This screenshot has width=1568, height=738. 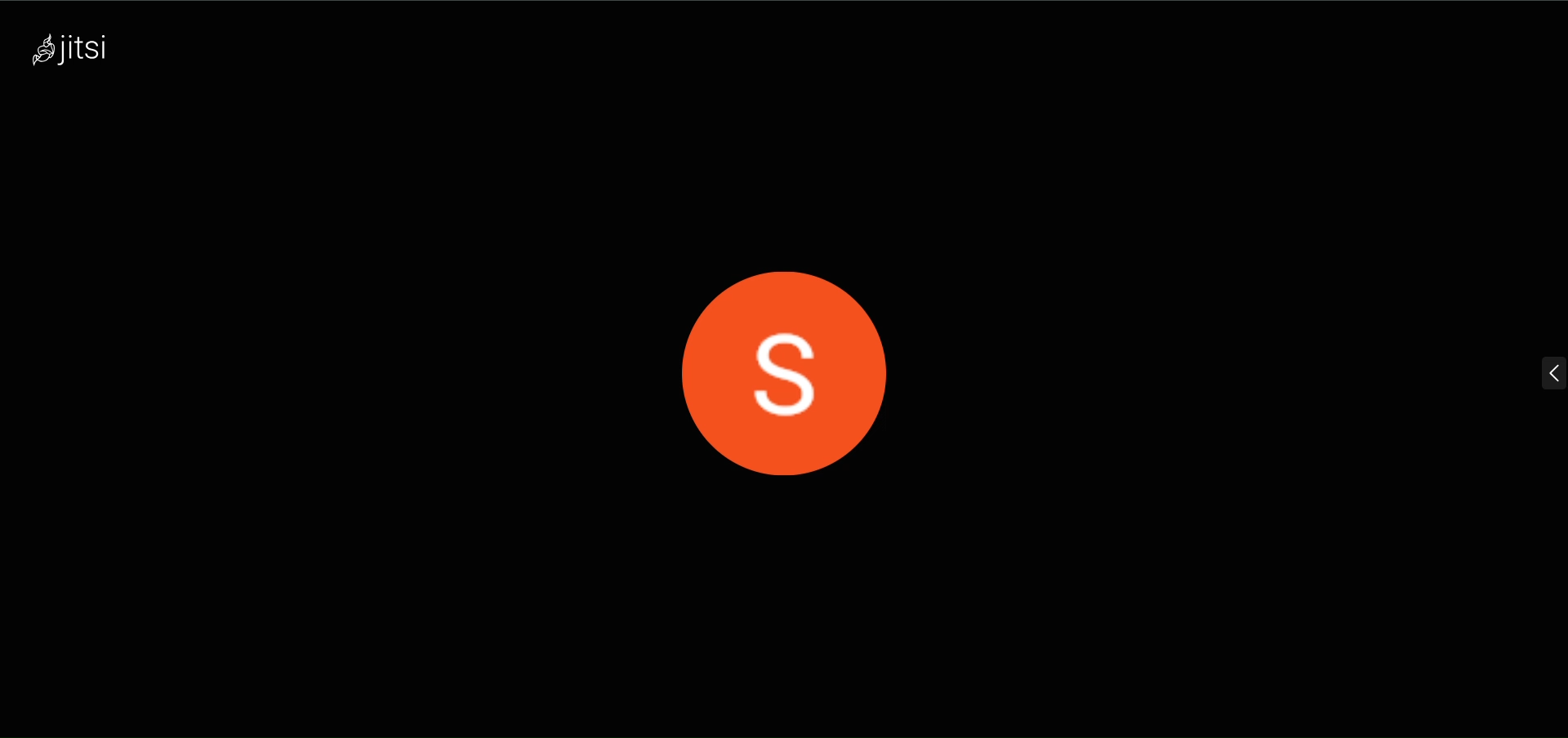 What do you see at coordinates (84, 52) in the screenshot?
I see `logo` at bounding box center [84, 52].